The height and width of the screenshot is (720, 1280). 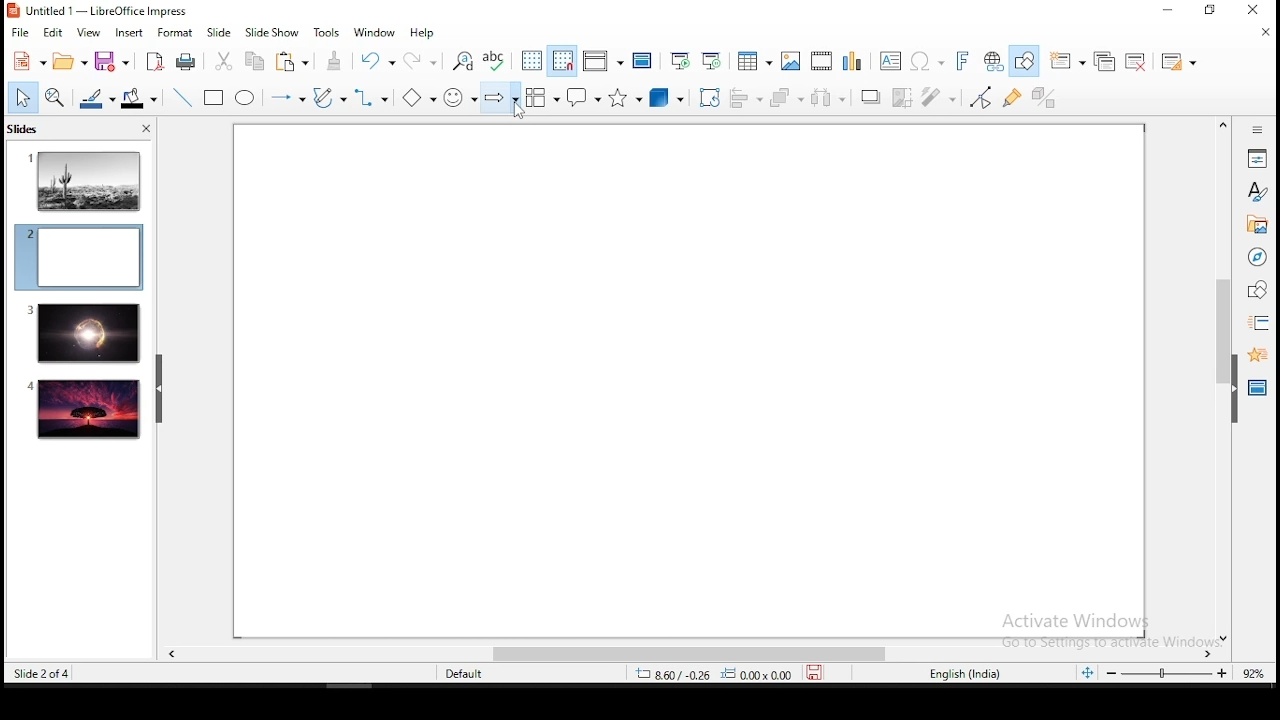 I want to click on slide 1, so click(x=85, y=180).